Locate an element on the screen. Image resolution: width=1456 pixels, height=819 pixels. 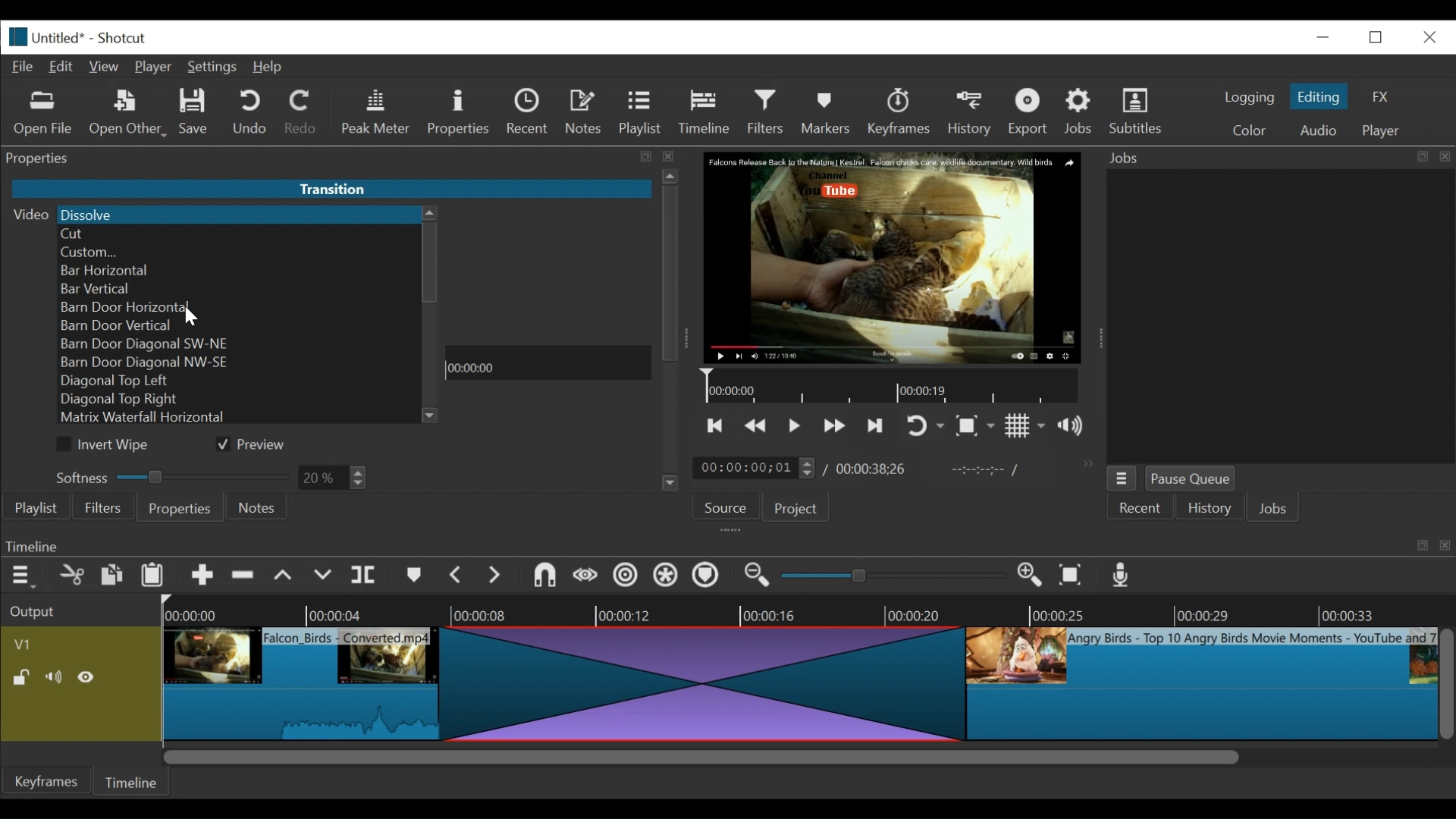
Toggle play or pause is located at coordinates (795, 425).